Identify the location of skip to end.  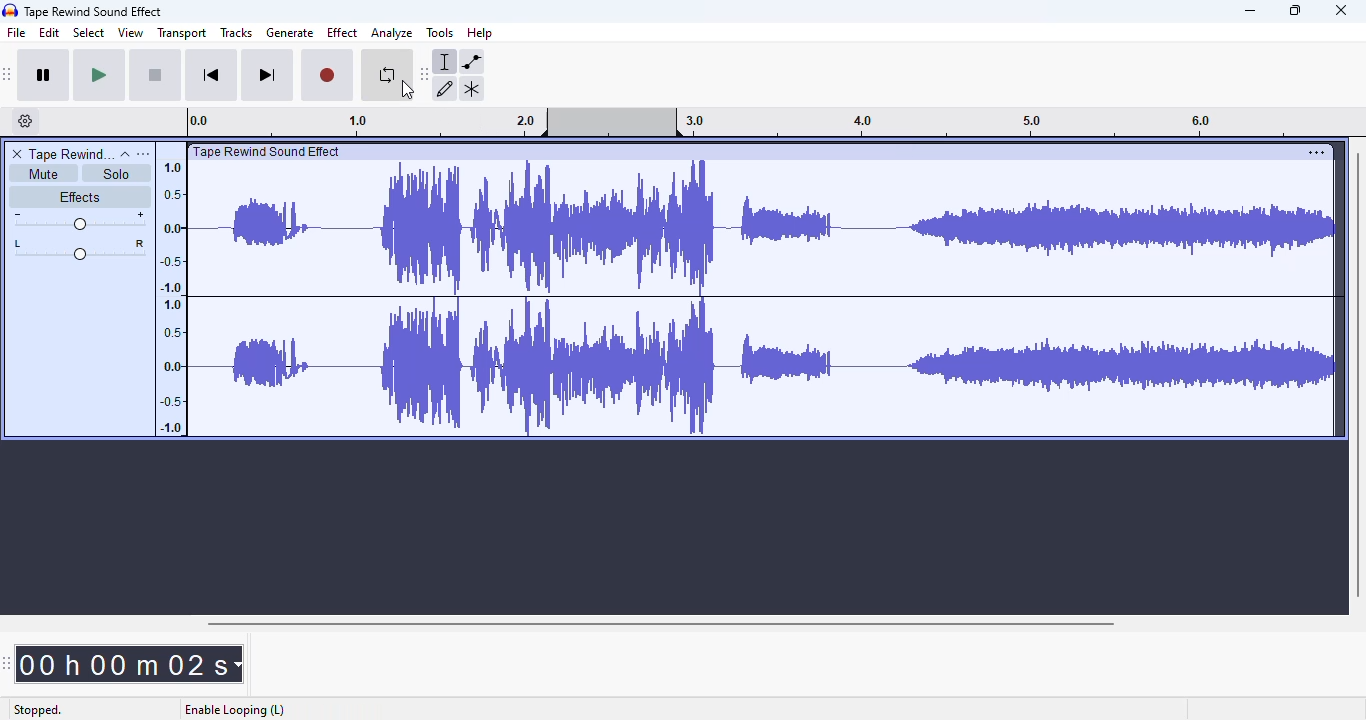
(268, 75).